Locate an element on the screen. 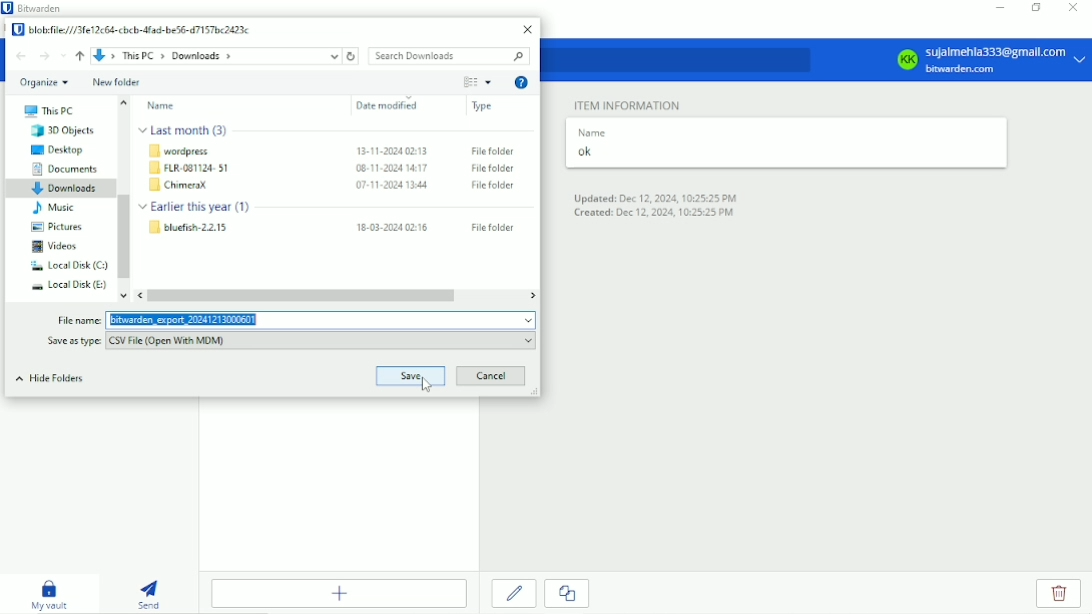 This screenshot has height=614, width=1092. This PC is located at coordinates (48, 112).